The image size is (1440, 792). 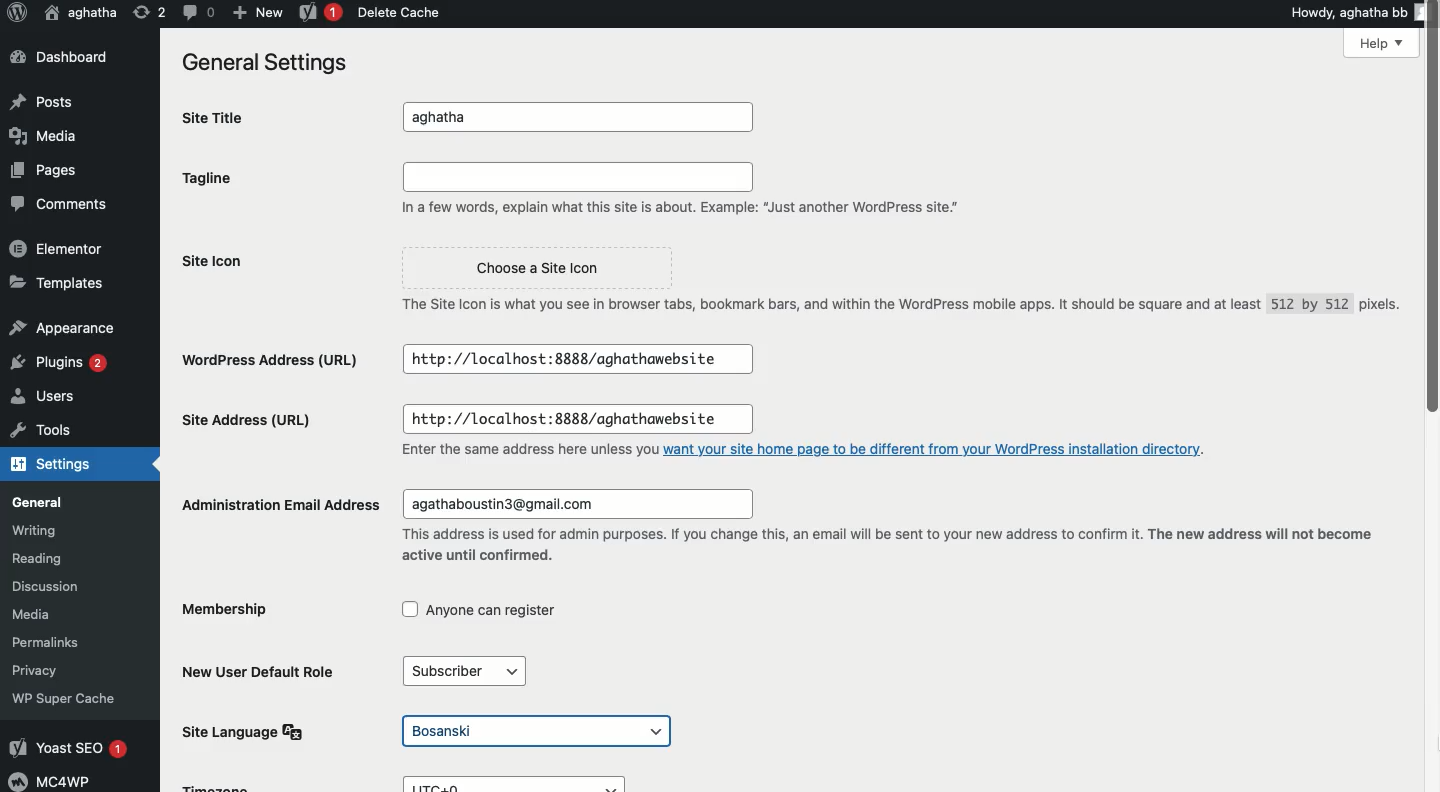 I want to click on Permalinks, so click(x=60, y=642).